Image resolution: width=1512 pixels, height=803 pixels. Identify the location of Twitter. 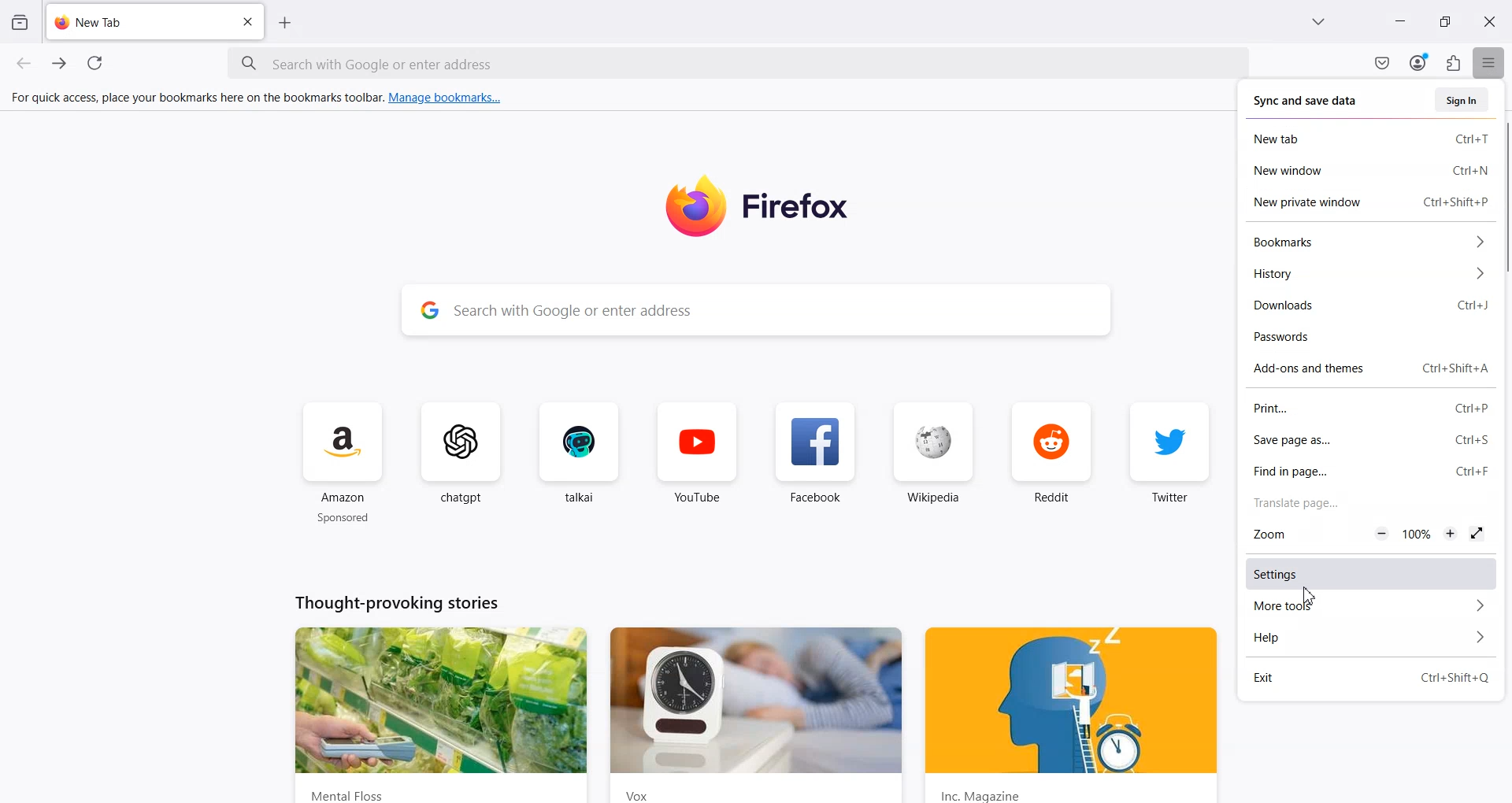
(1171, 462).